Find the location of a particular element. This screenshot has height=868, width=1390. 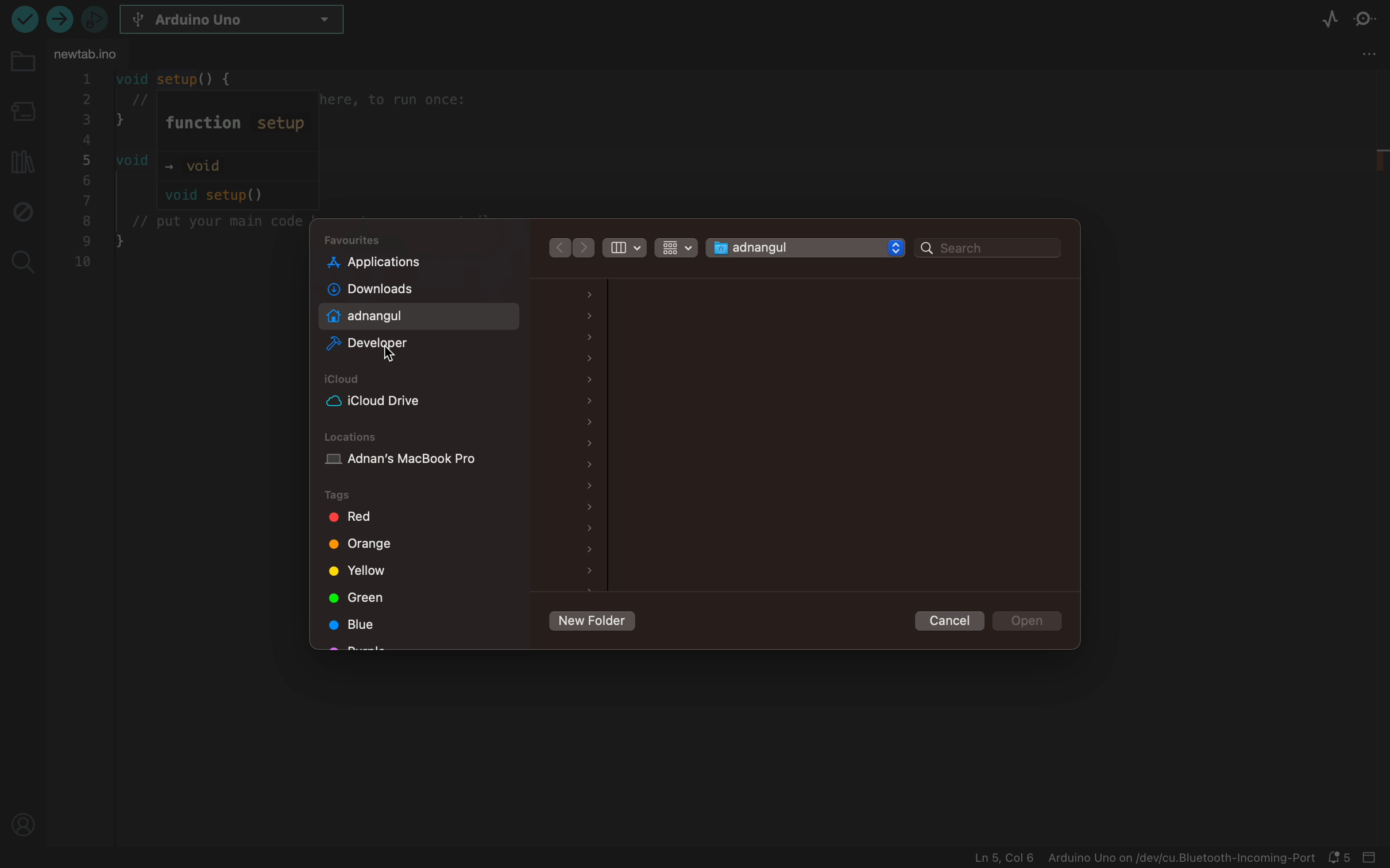

serial monitor is located at coordinates (1370, 20).